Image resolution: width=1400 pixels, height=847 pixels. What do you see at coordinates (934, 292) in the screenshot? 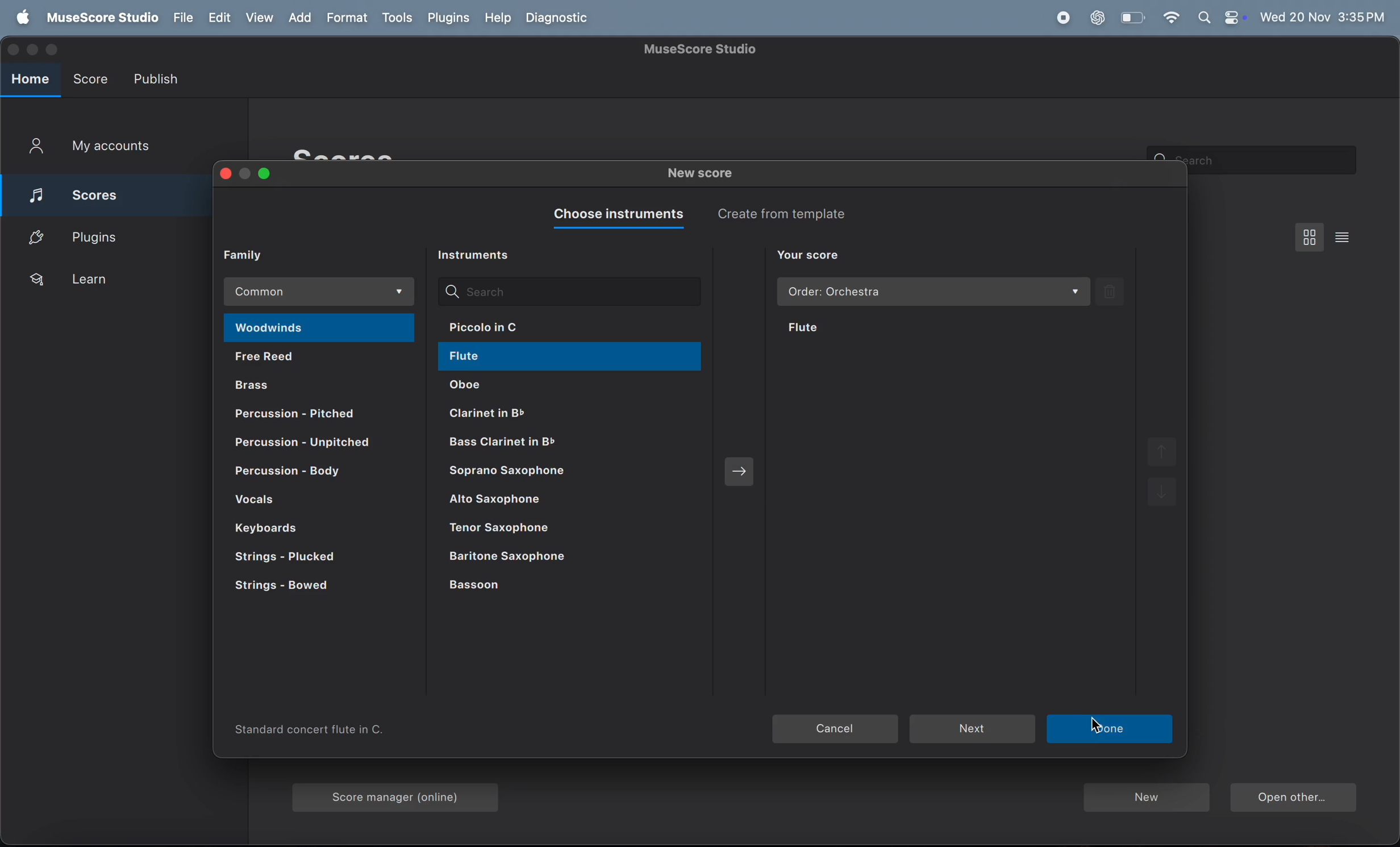
I see `order orchestra` at bounding box center [934, 292].